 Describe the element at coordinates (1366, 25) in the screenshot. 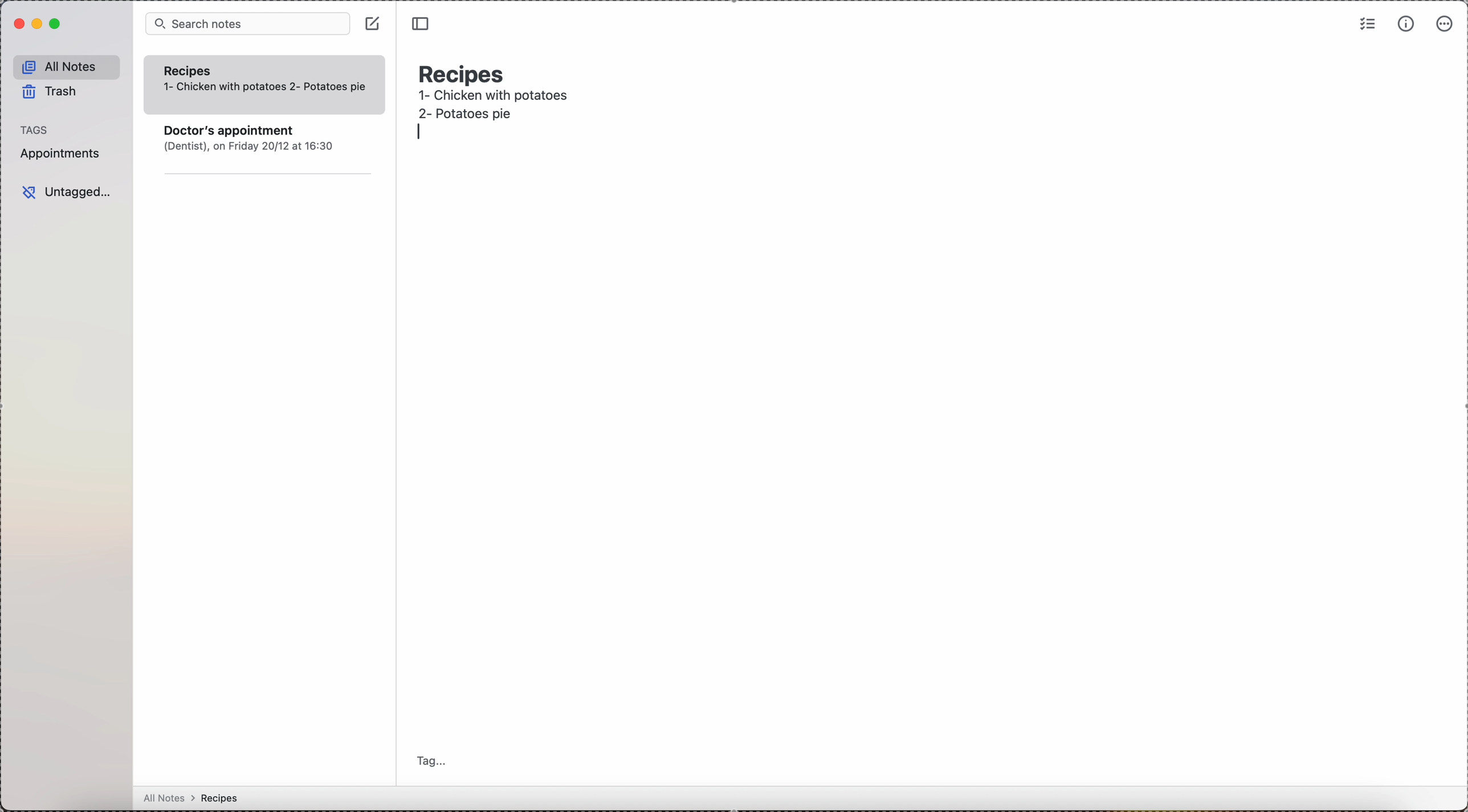

I see `check list` at that location.